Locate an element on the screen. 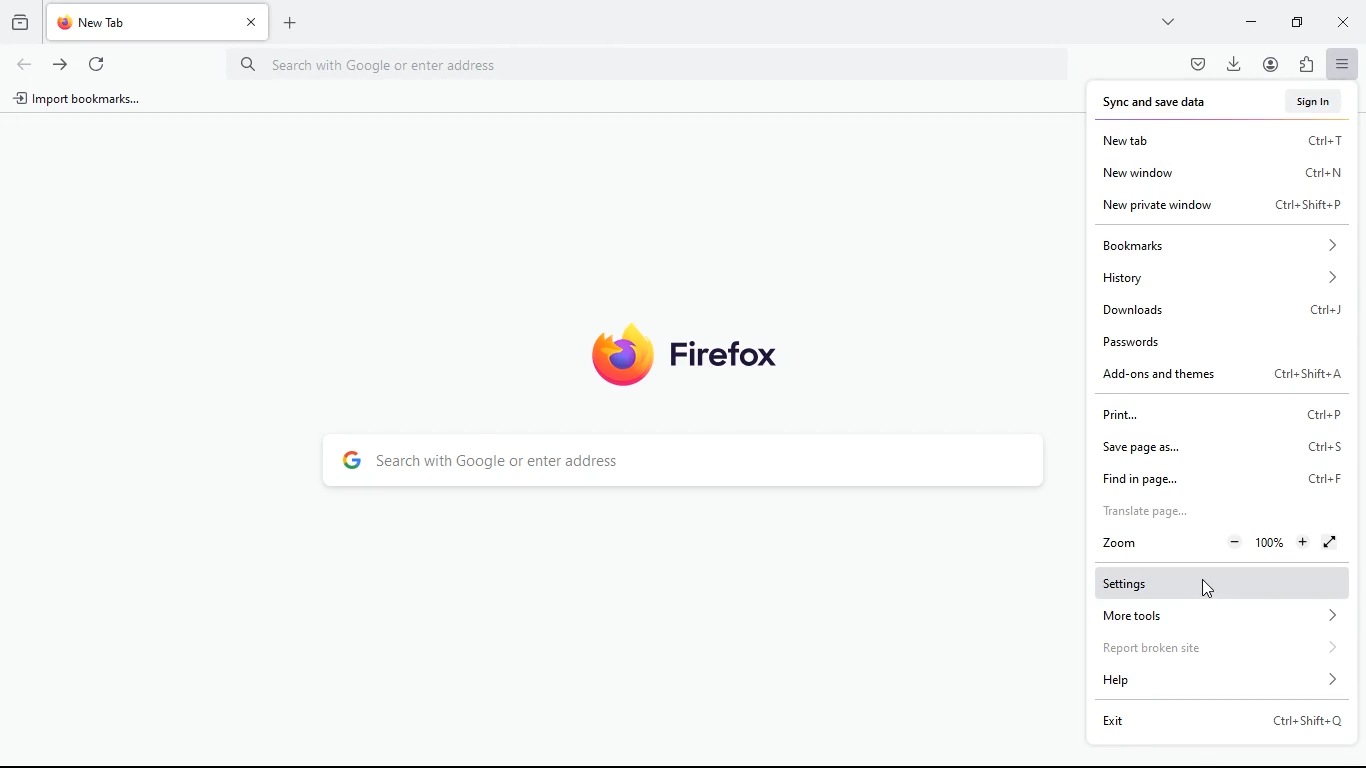  import bookmarks is located at coordinates (80, 102).